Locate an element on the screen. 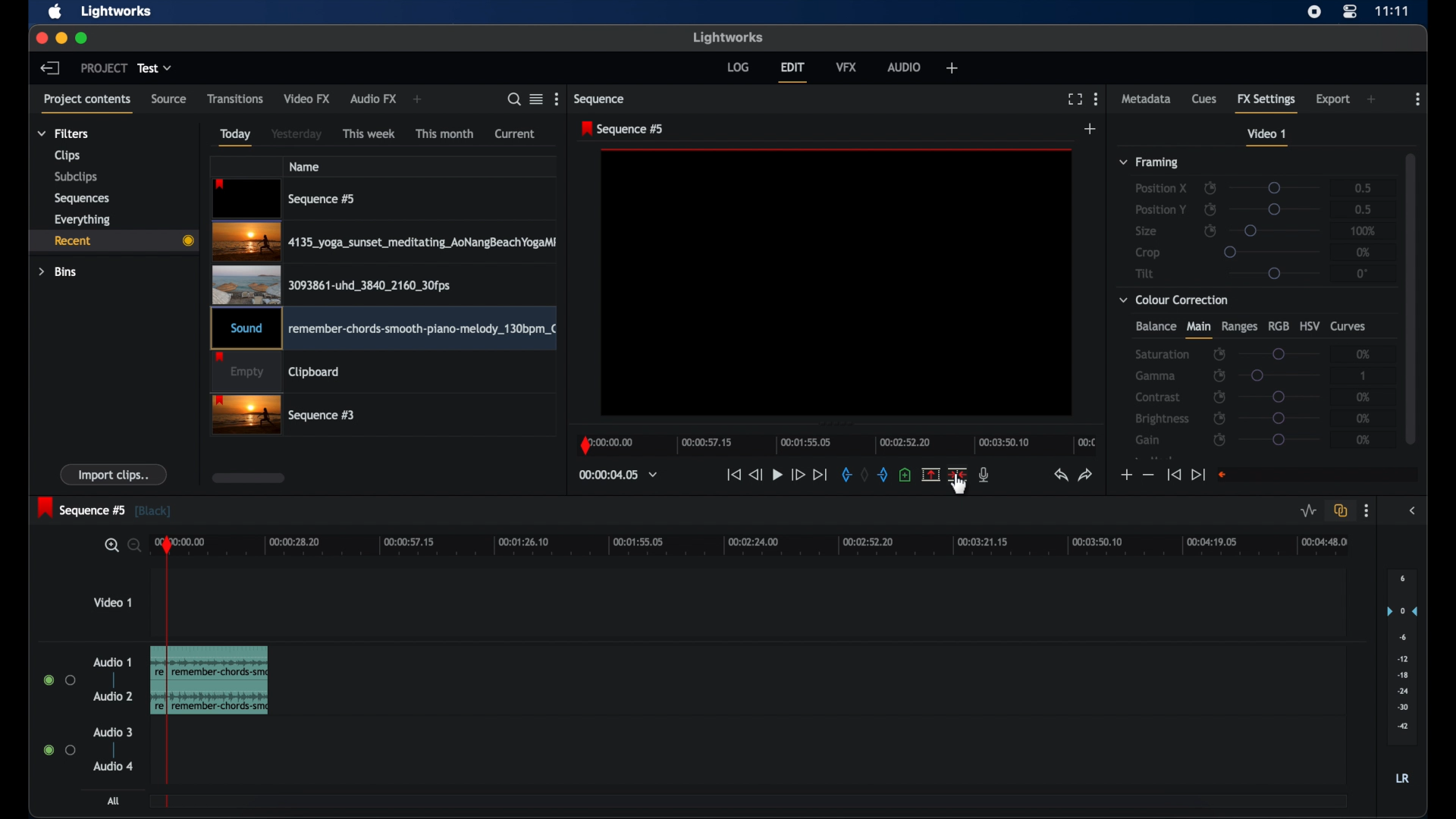 The height and width of the screenshot is (819, 1456). slider is located at coordinates (1276, 231).